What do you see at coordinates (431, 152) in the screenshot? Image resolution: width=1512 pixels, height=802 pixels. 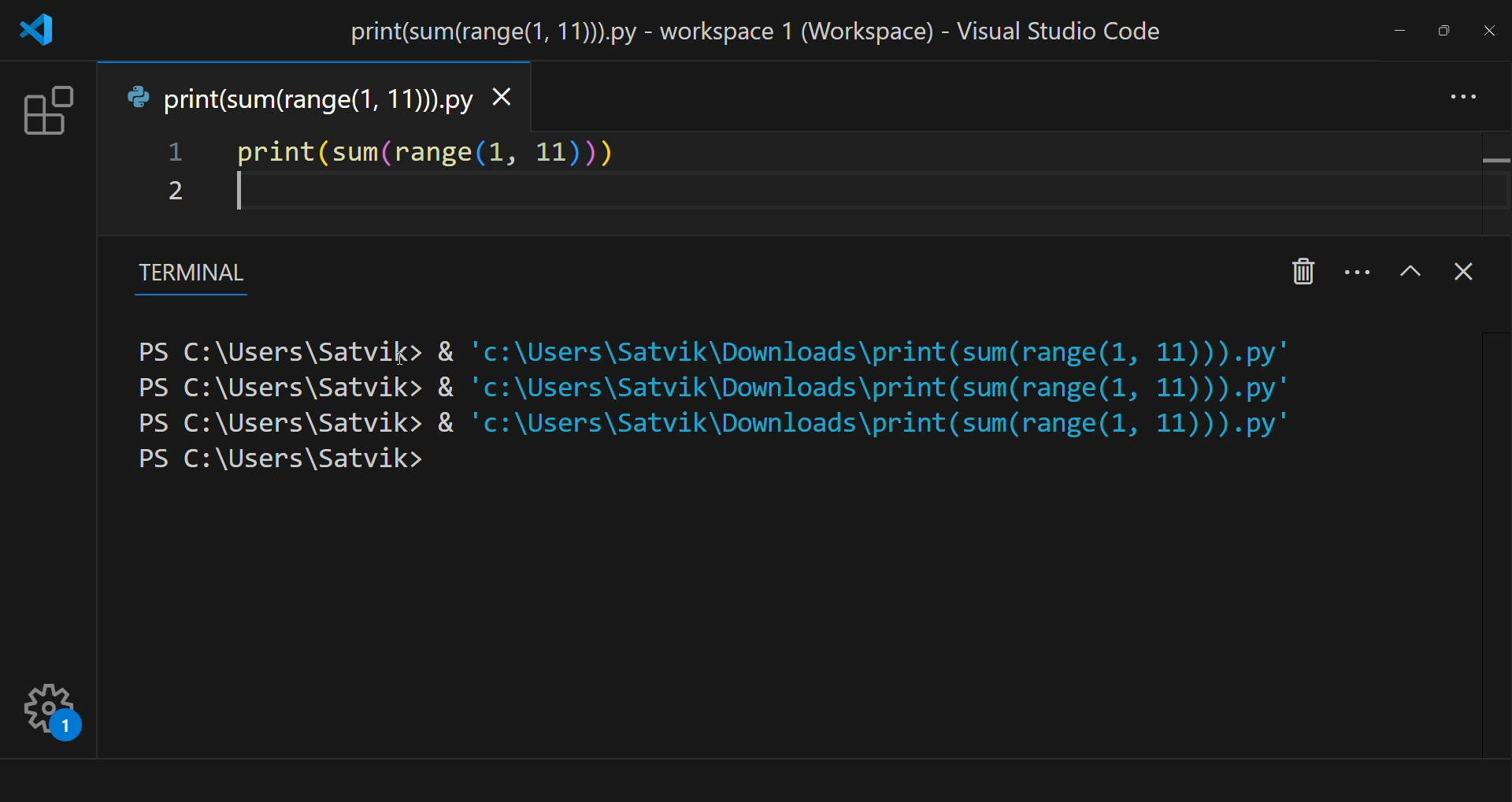 I see `code` at bounding box center [431, 152].